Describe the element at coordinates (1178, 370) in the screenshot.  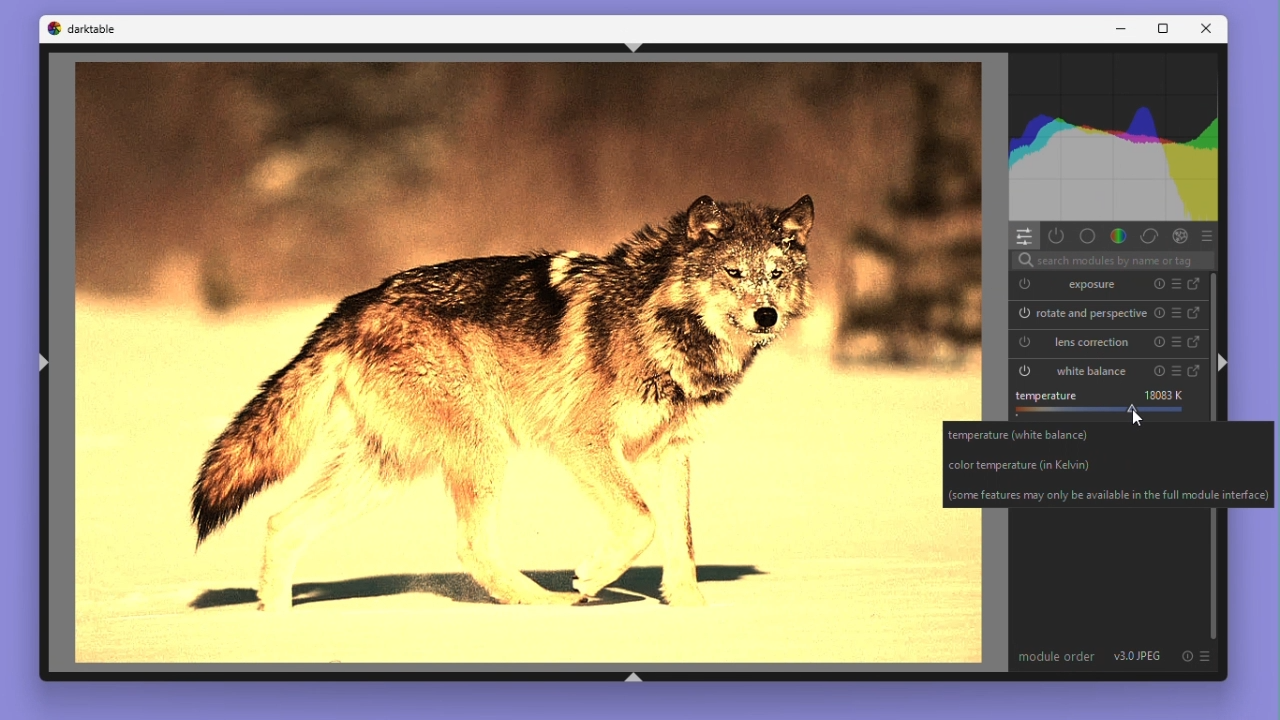
I see `Preset` at that location.